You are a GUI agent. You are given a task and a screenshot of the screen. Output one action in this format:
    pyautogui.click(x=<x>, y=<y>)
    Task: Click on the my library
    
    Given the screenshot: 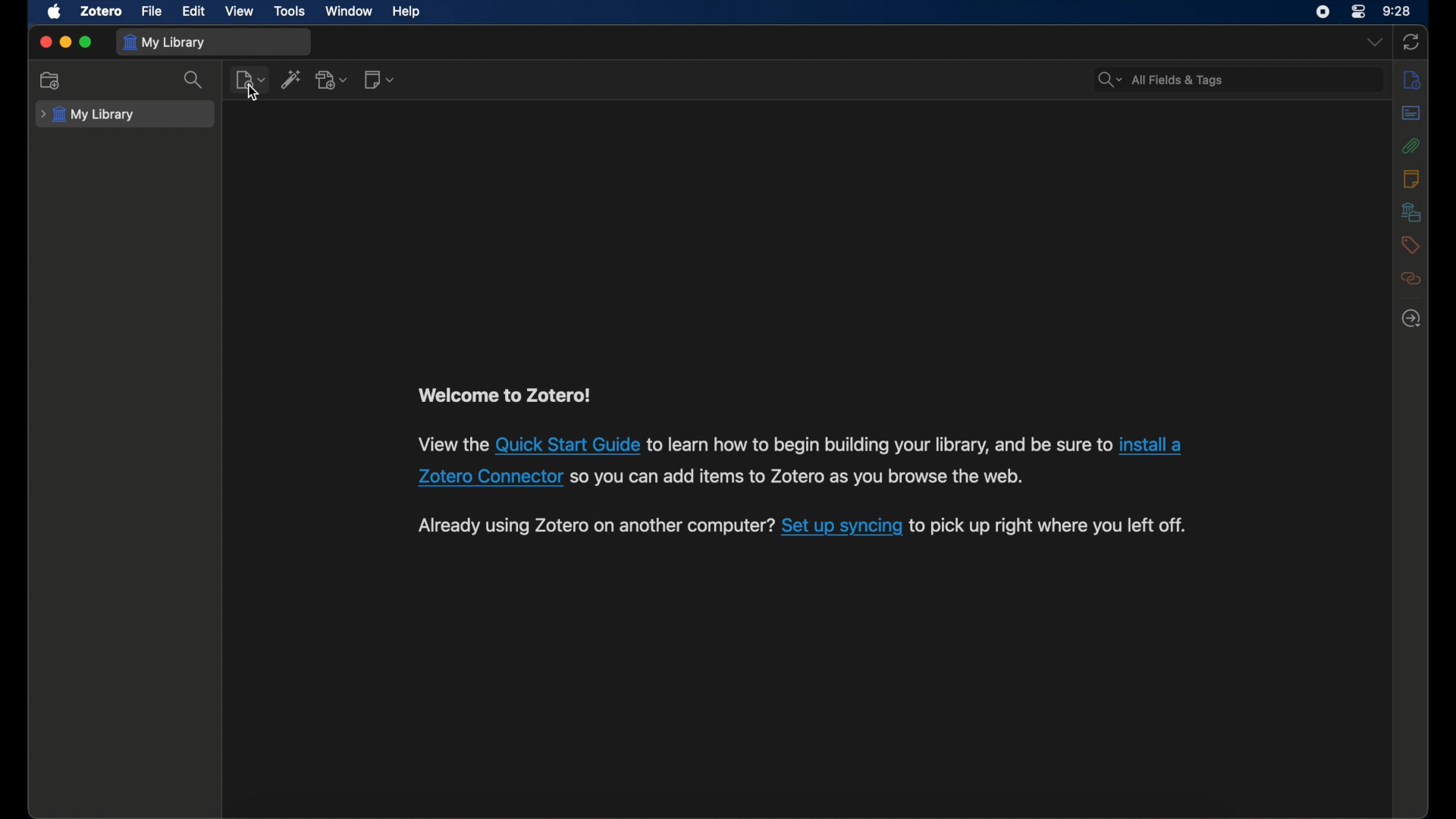 What is the action you would take?
    pyautogui.click(x=90, y=115)
    